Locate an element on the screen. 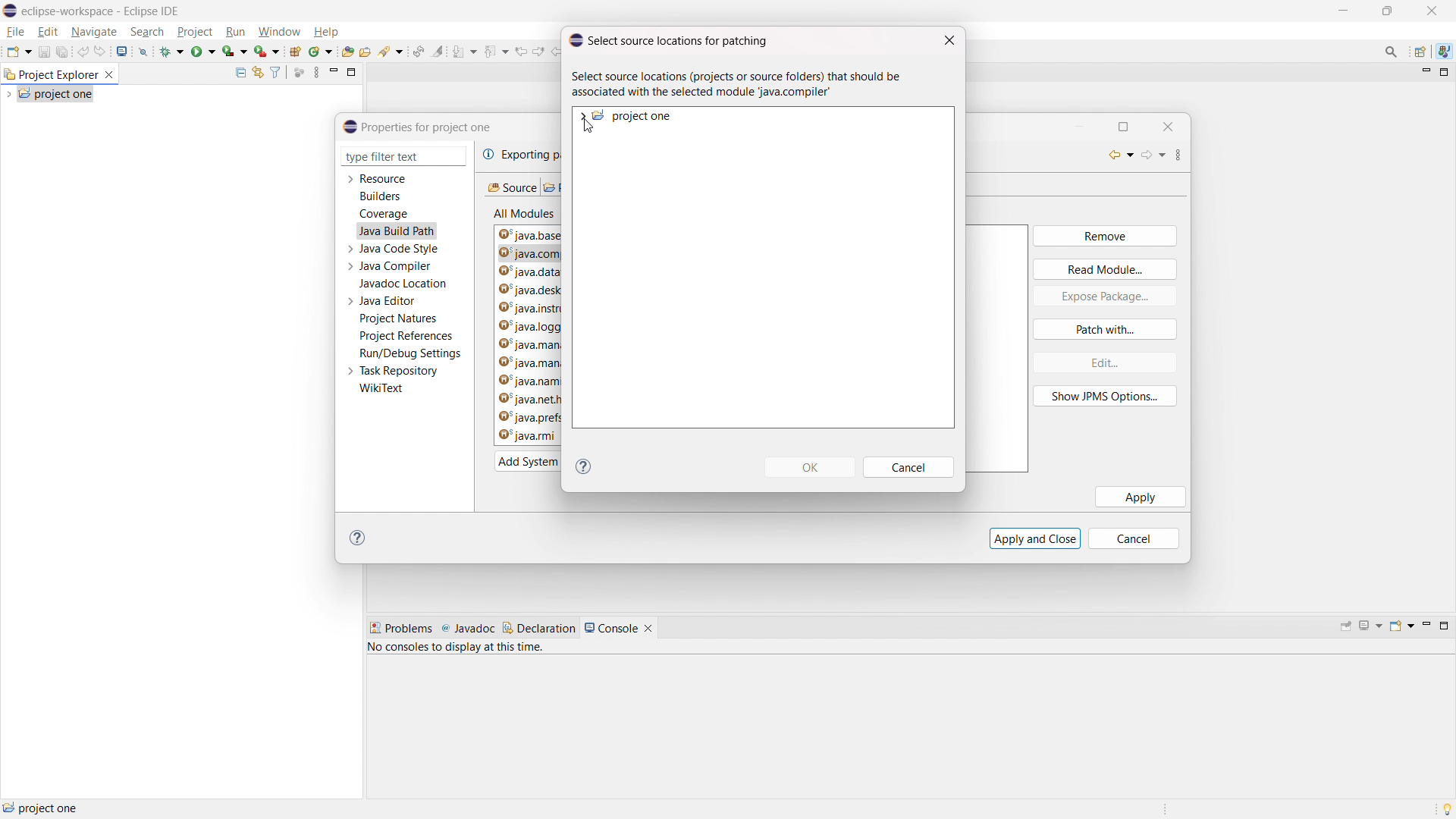 The height and width of the screenshot is (819, 1456). close project explorer is located at coordinates (109, 75).